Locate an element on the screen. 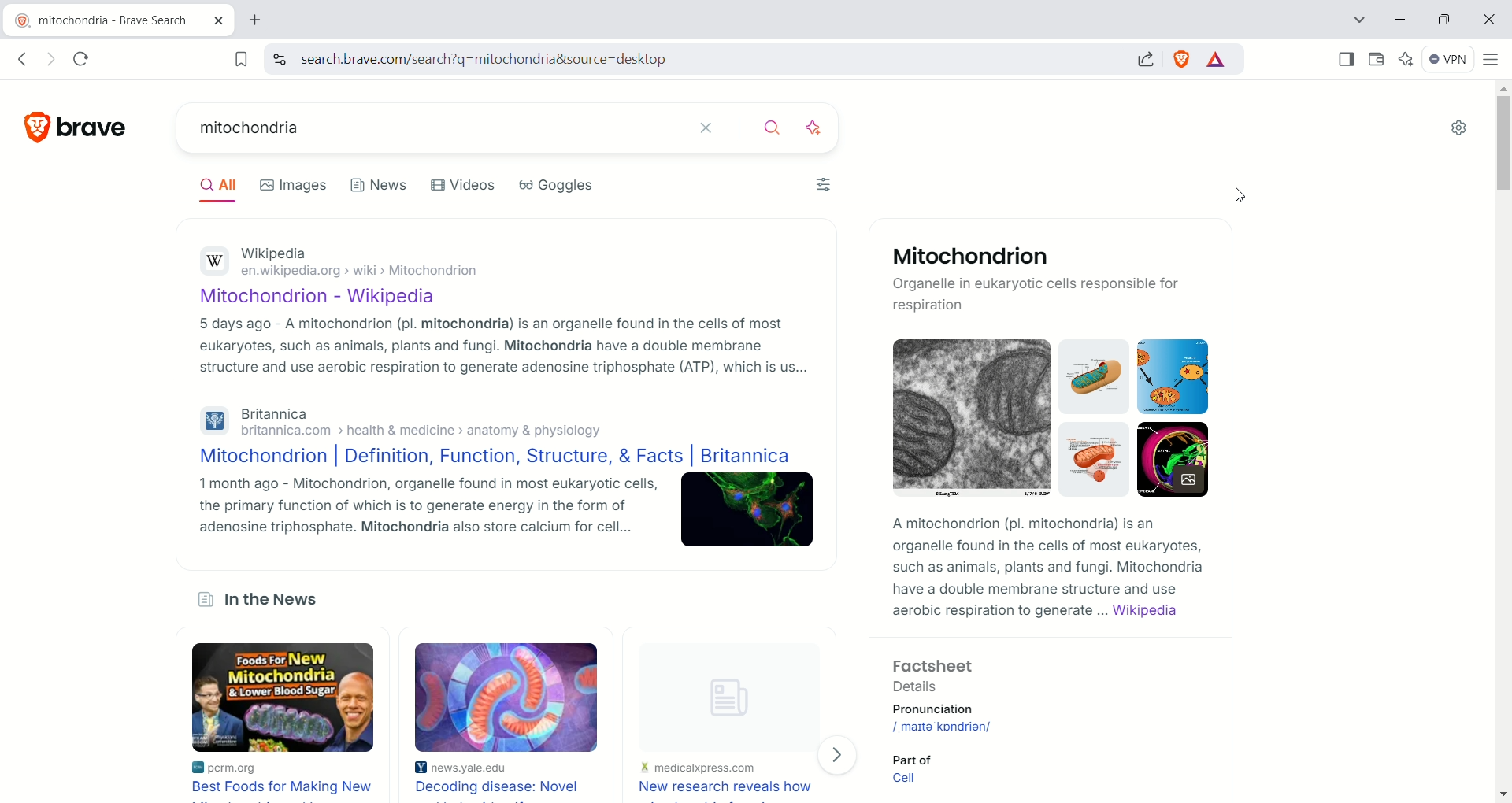  new tab is located at coordinates (268, 19).